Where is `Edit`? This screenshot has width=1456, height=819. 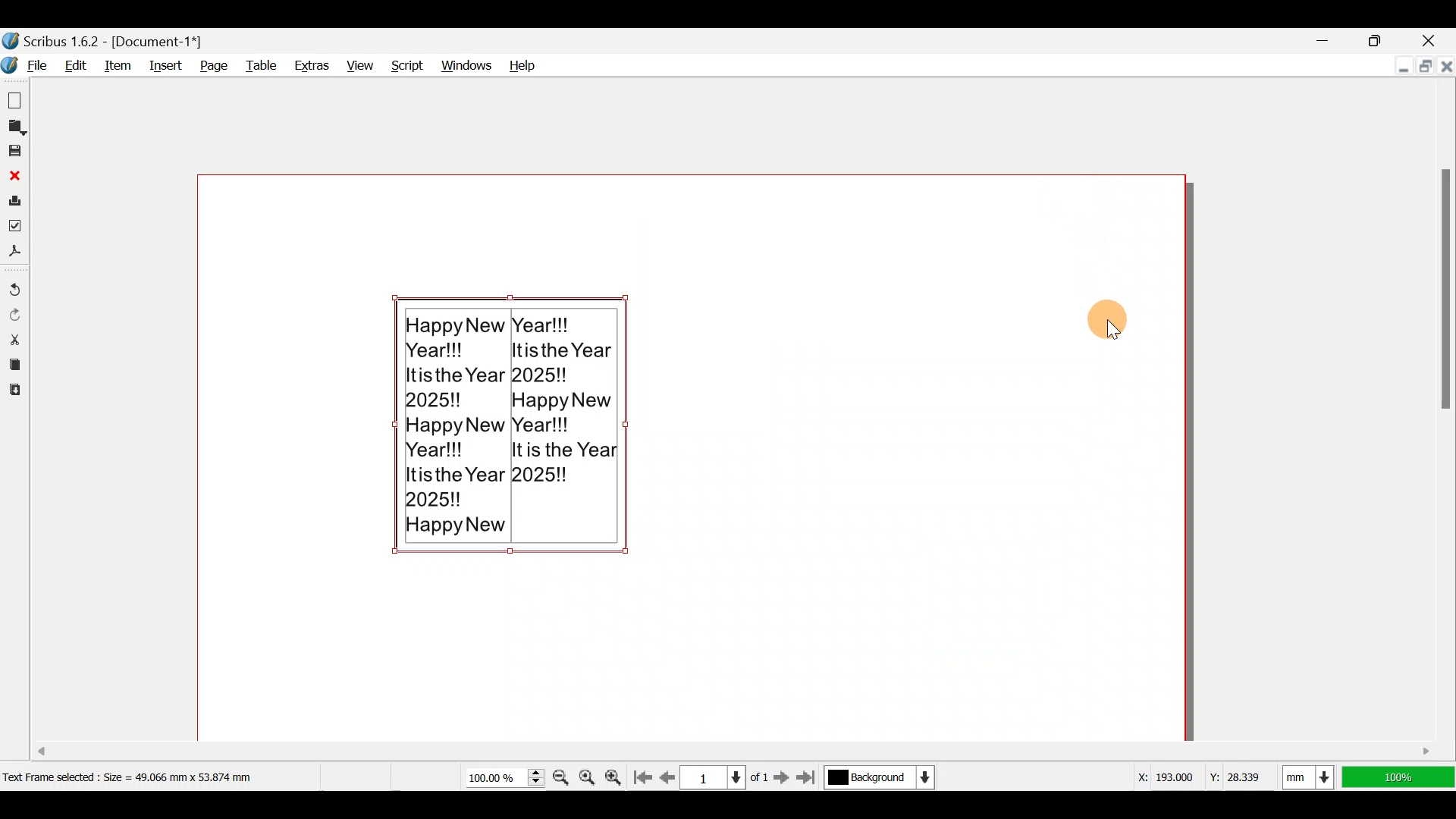 Edit is located at coordinates (78, 67).